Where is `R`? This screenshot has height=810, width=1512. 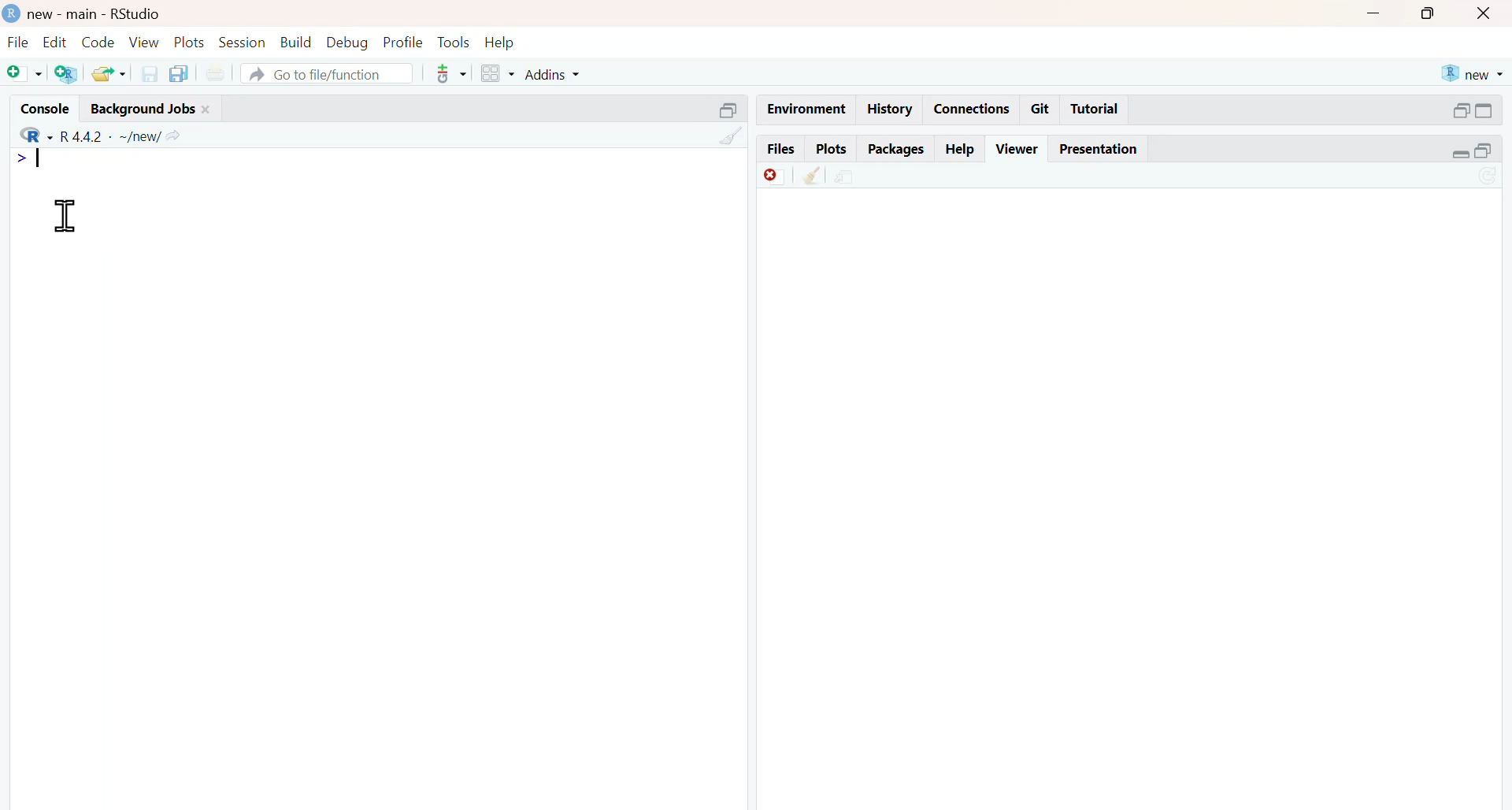
R is located at coordinates (36, 135).